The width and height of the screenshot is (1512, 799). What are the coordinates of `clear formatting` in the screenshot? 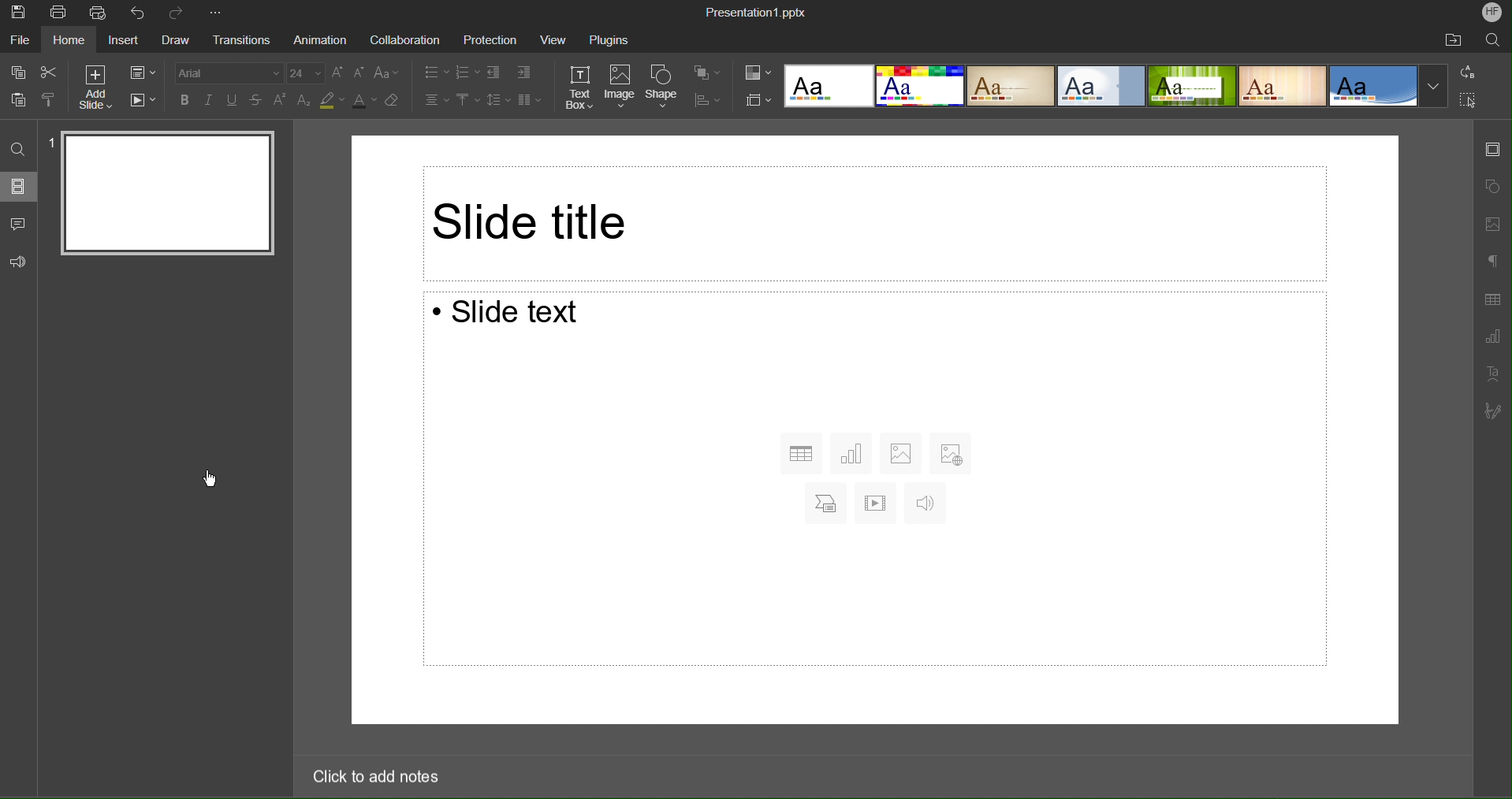 It's located at (393, 102).